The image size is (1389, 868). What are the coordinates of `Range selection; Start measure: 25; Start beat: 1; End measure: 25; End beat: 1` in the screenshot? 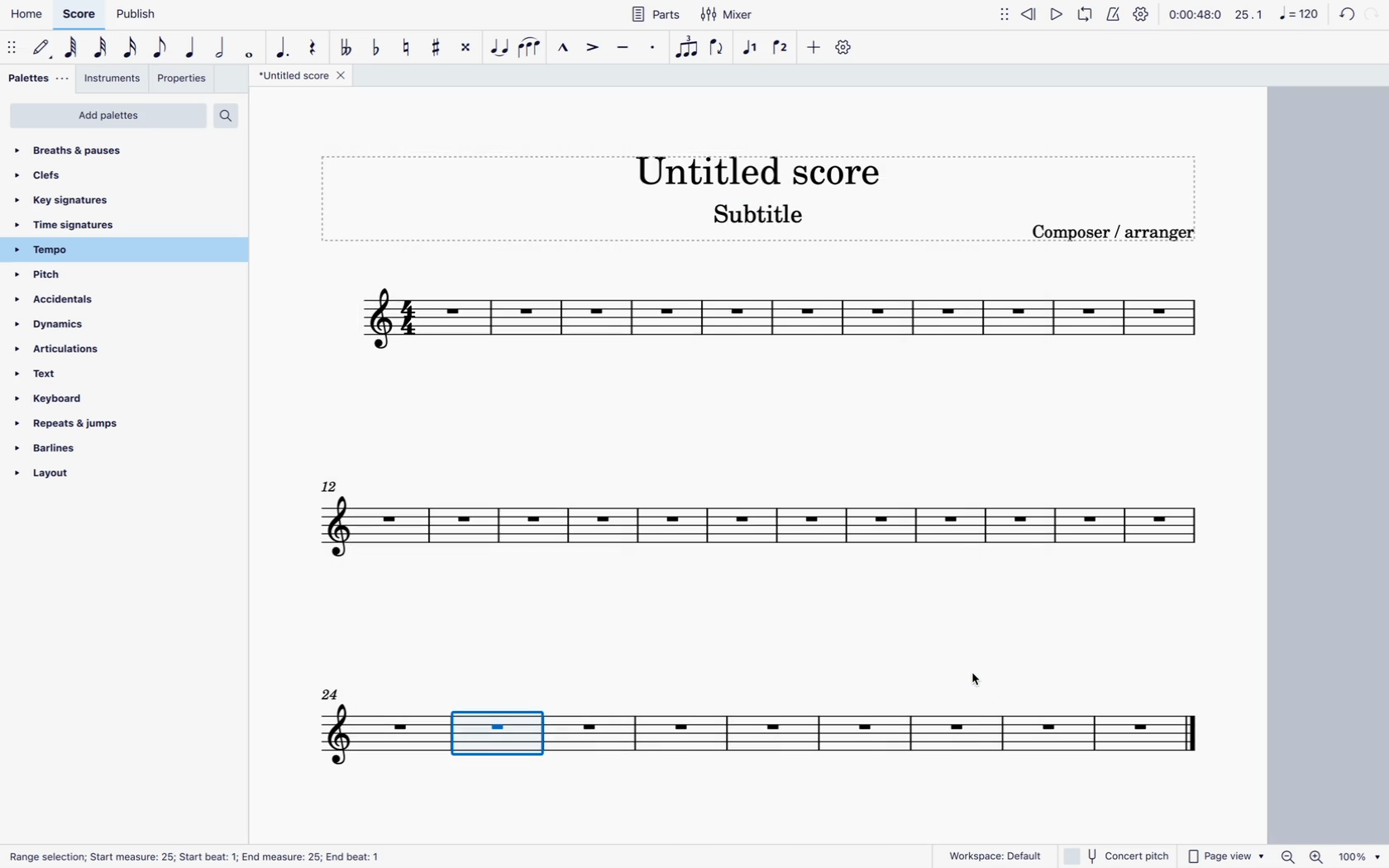 It's located at (193, 856).